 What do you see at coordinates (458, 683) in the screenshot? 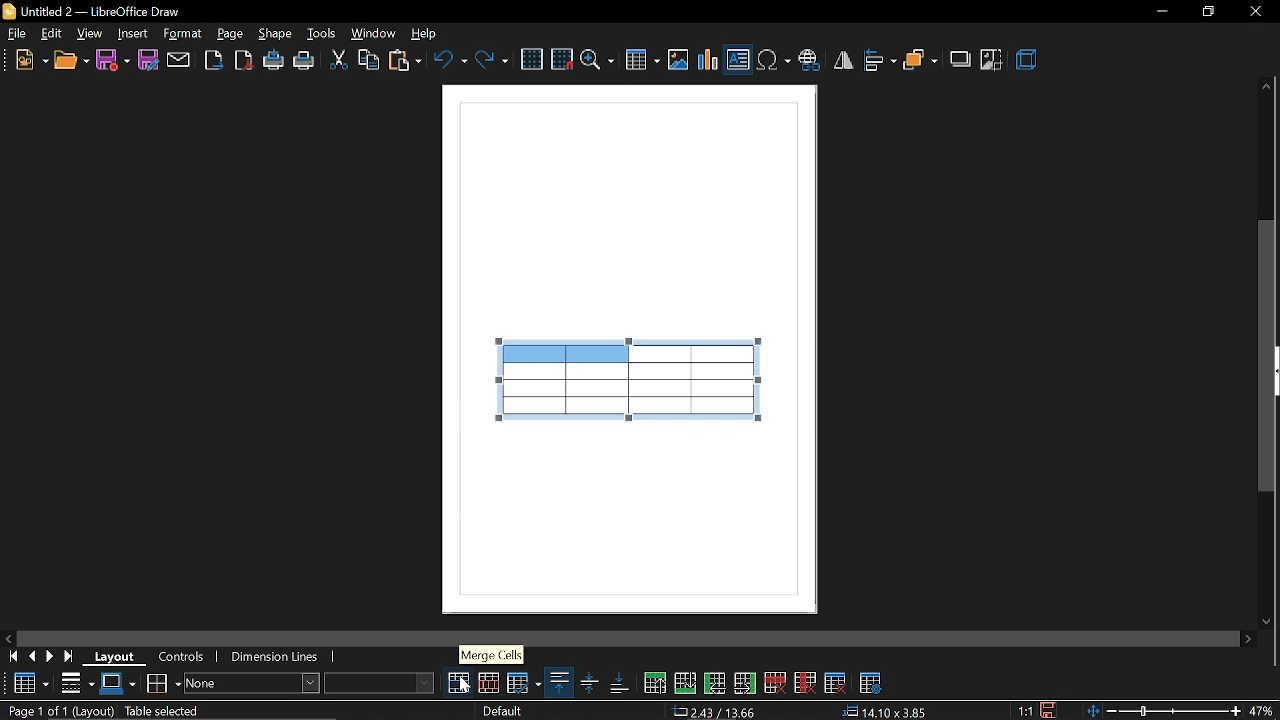
I see `merge cells` at bounding box center [458, 683].